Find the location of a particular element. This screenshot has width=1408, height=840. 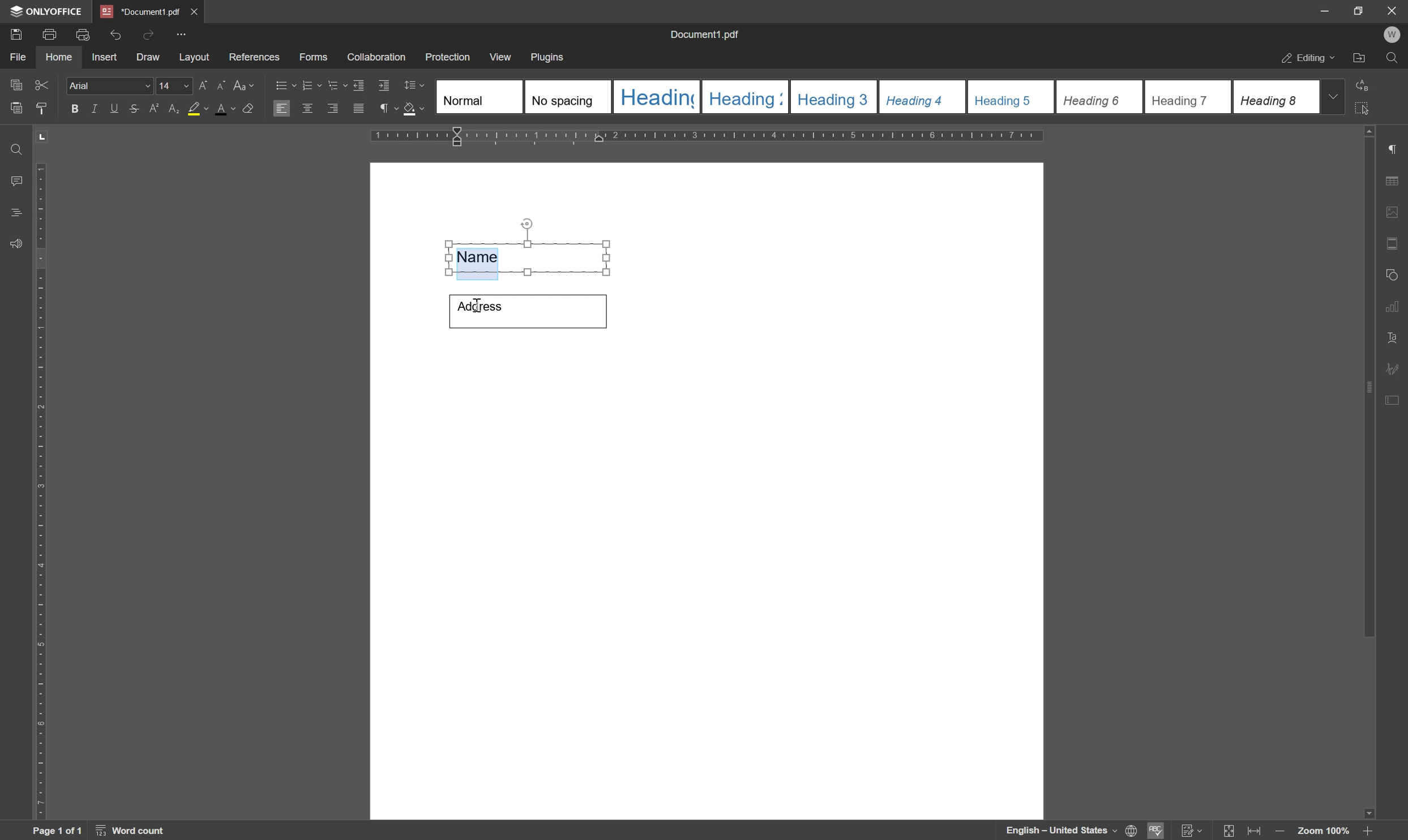

14 is located at coordinates (173, 87).